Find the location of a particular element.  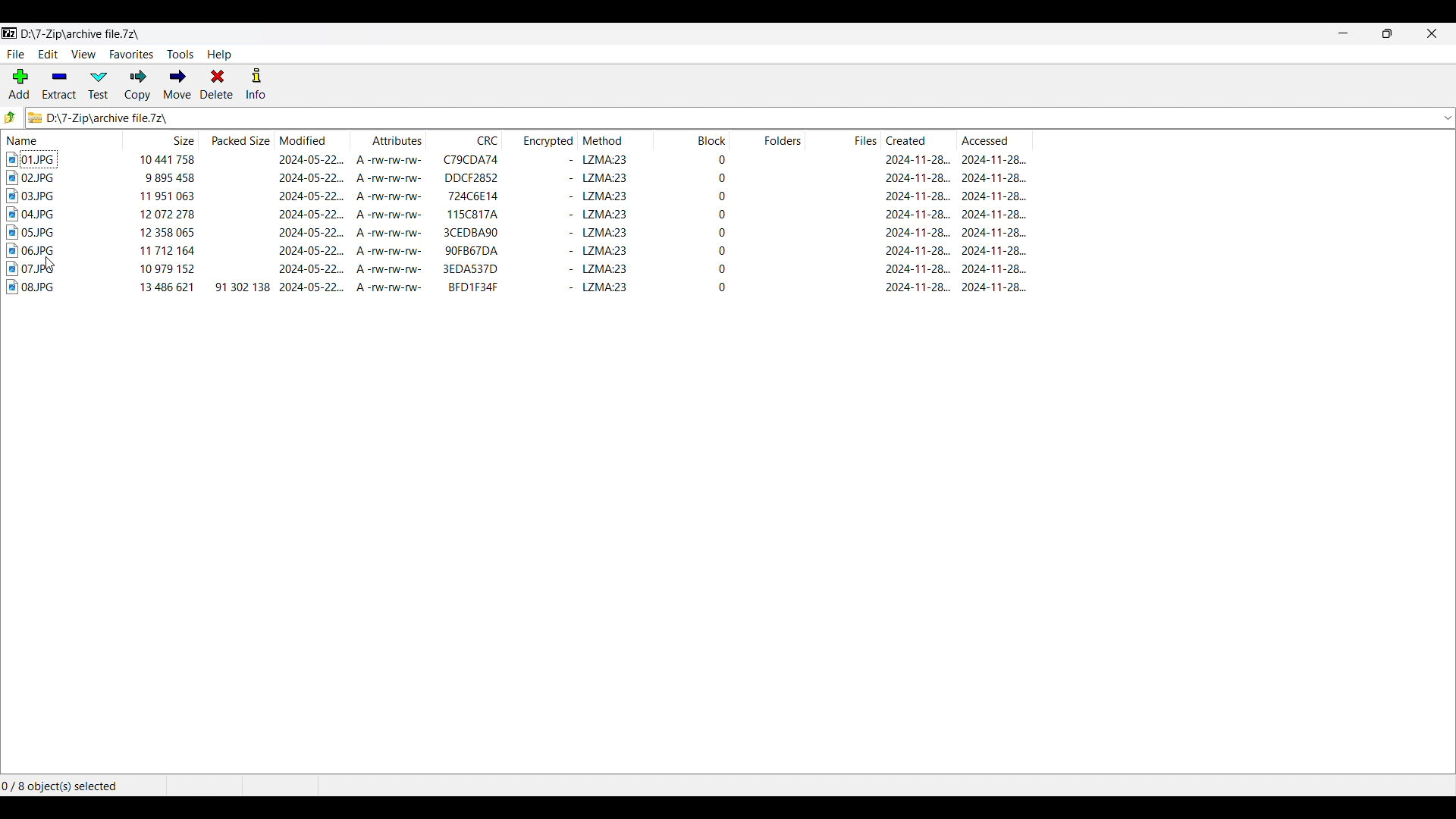

accessed date & time is located at coordinates (995, 232).